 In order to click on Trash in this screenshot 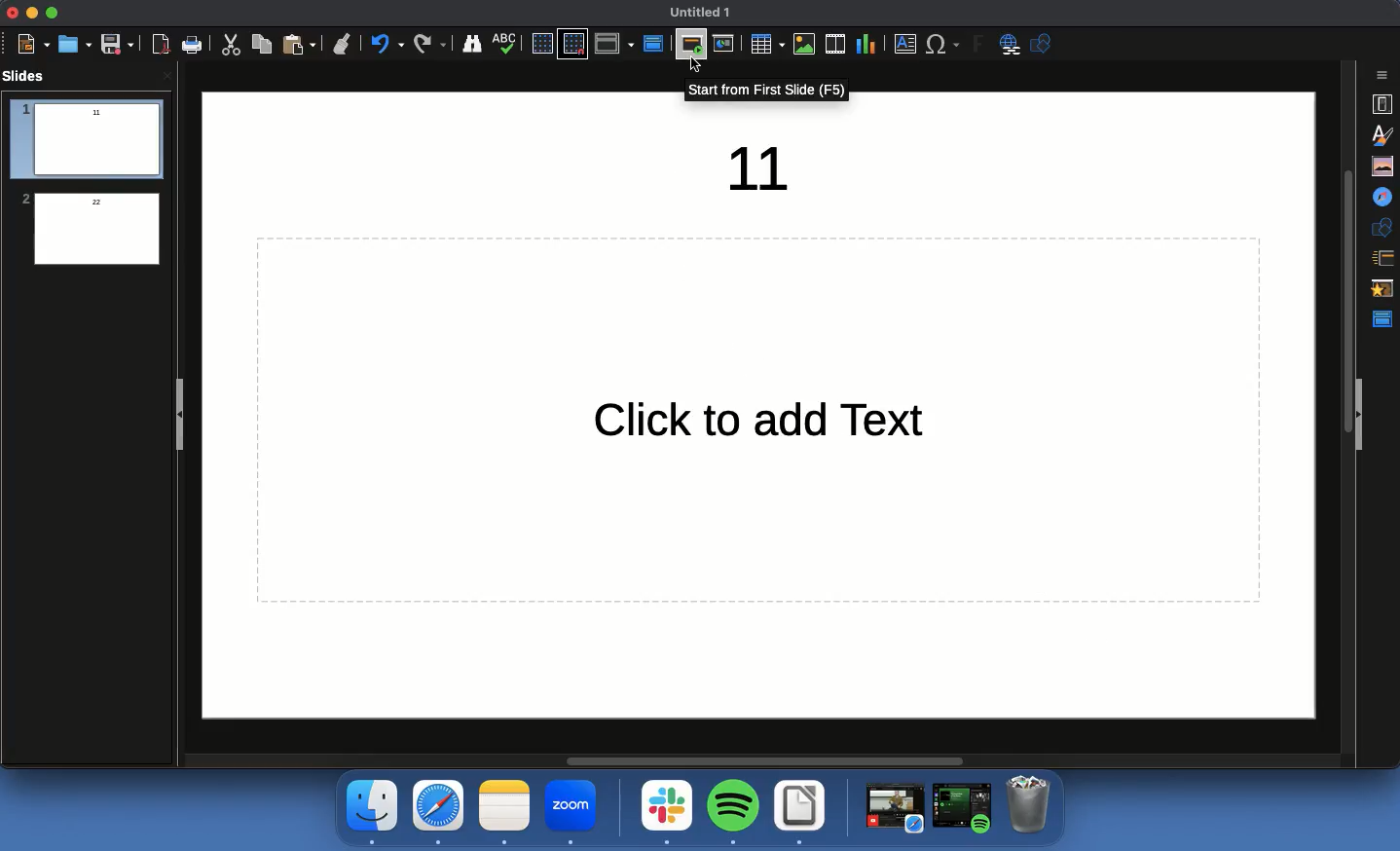, I will do `click(1031, 805)`.